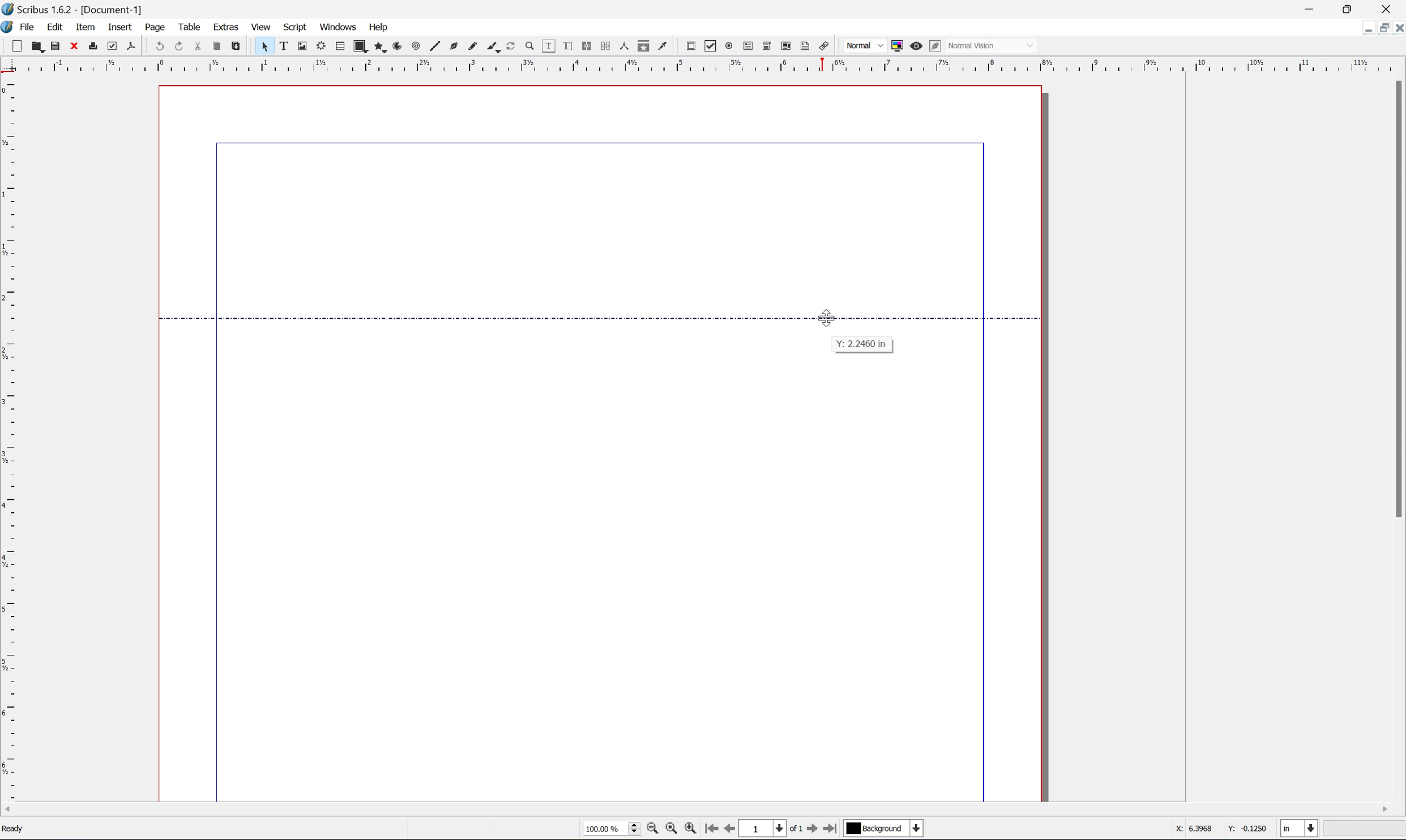  I want to click on Scribus 1.6.2 - [Document-1], so click(88, 9).